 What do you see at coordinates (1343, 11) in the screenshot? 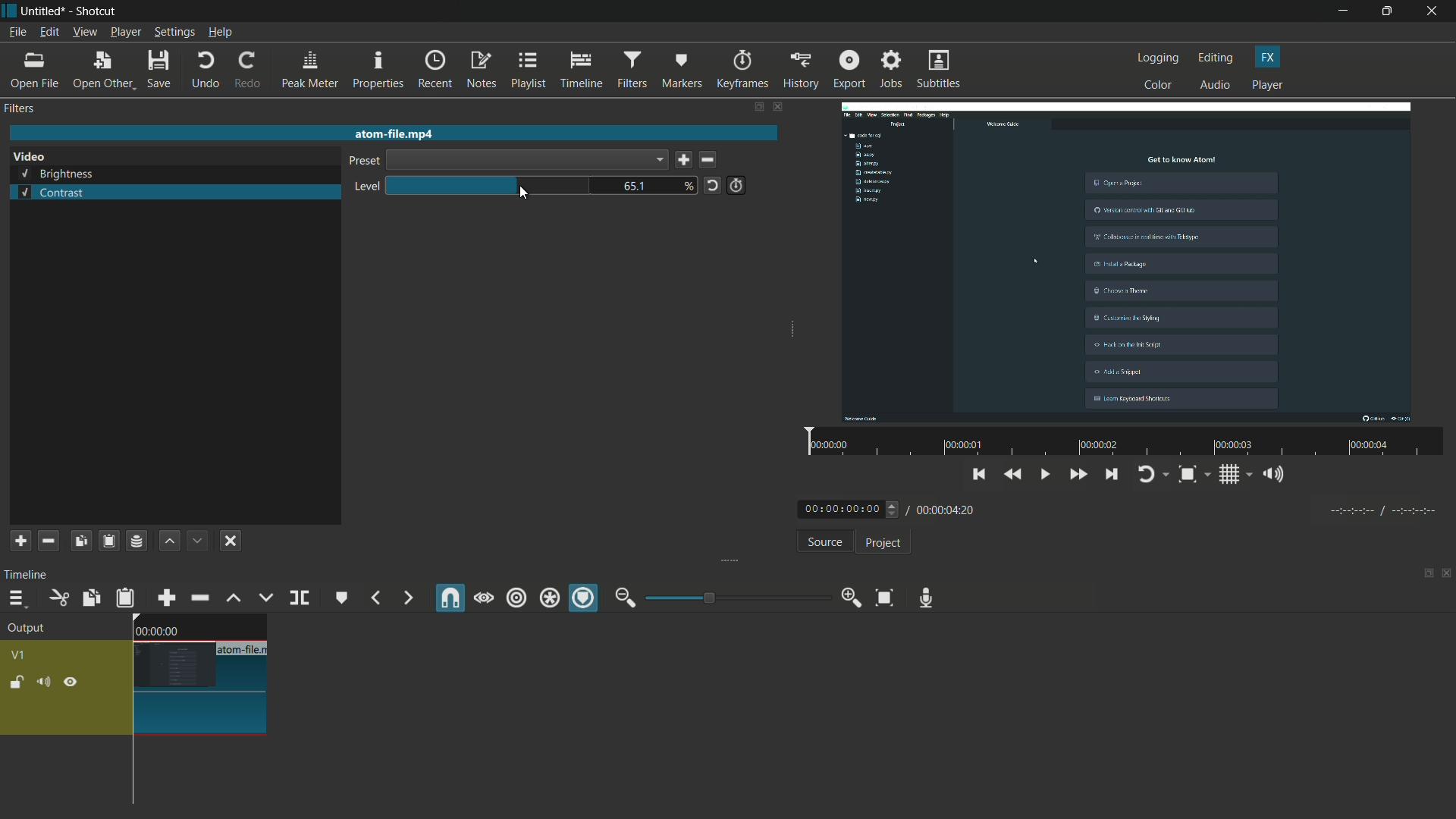
I see `minimize` at bounding box center [1343, 11].